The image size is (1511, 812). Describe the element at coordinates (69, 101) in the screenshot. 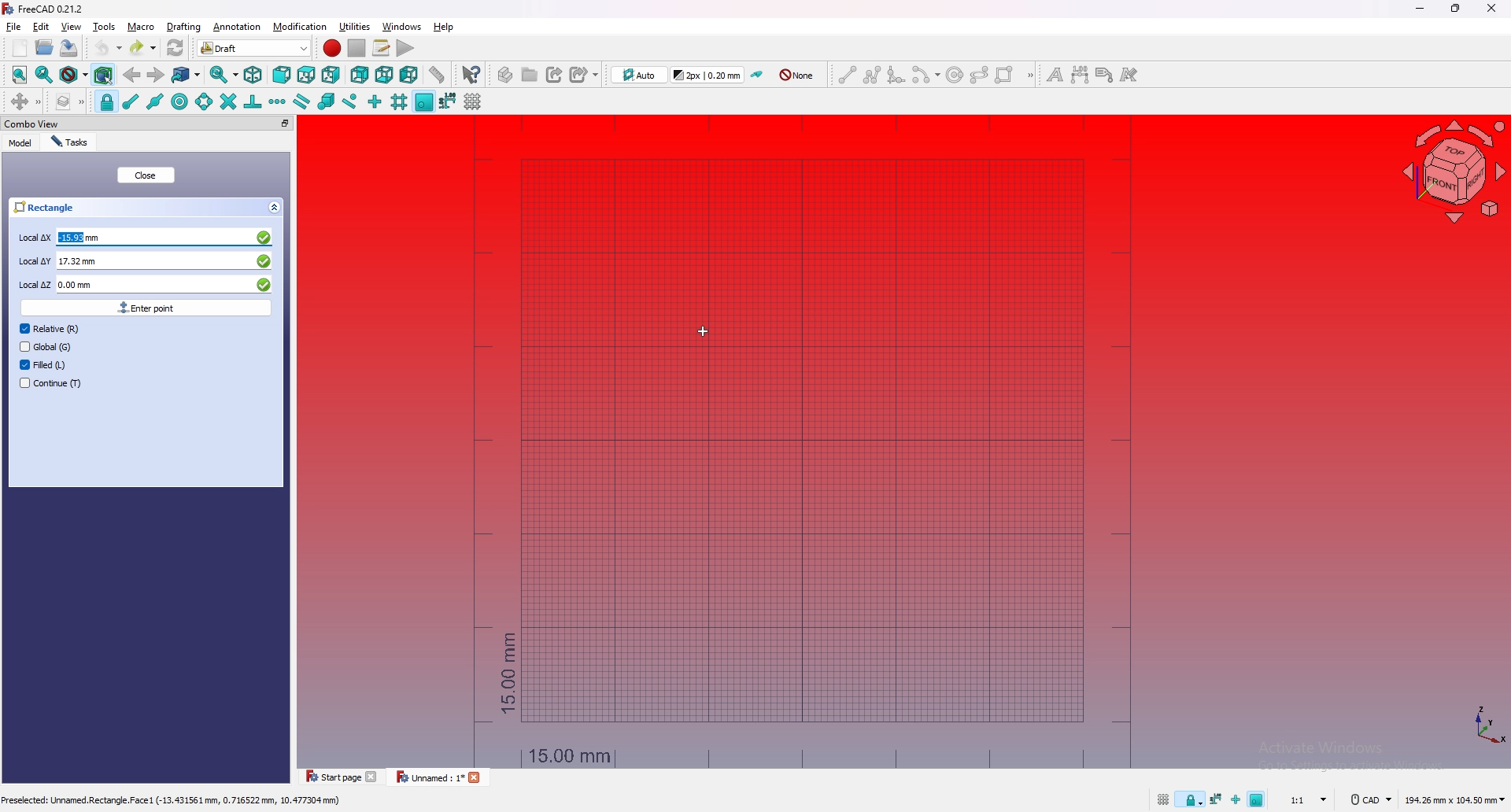

I see `manage layers` at that location.